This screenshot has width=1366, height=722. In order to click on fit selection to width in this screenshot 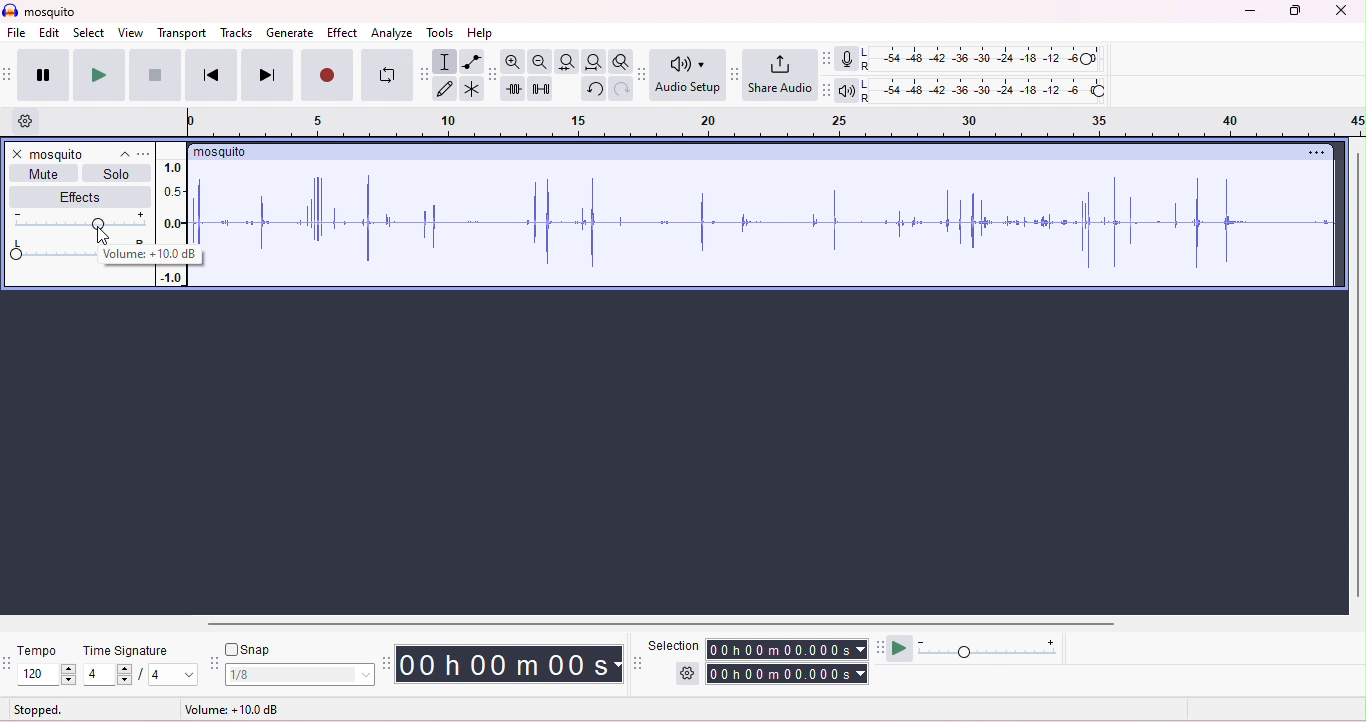, I will do `click(567, 62)`.